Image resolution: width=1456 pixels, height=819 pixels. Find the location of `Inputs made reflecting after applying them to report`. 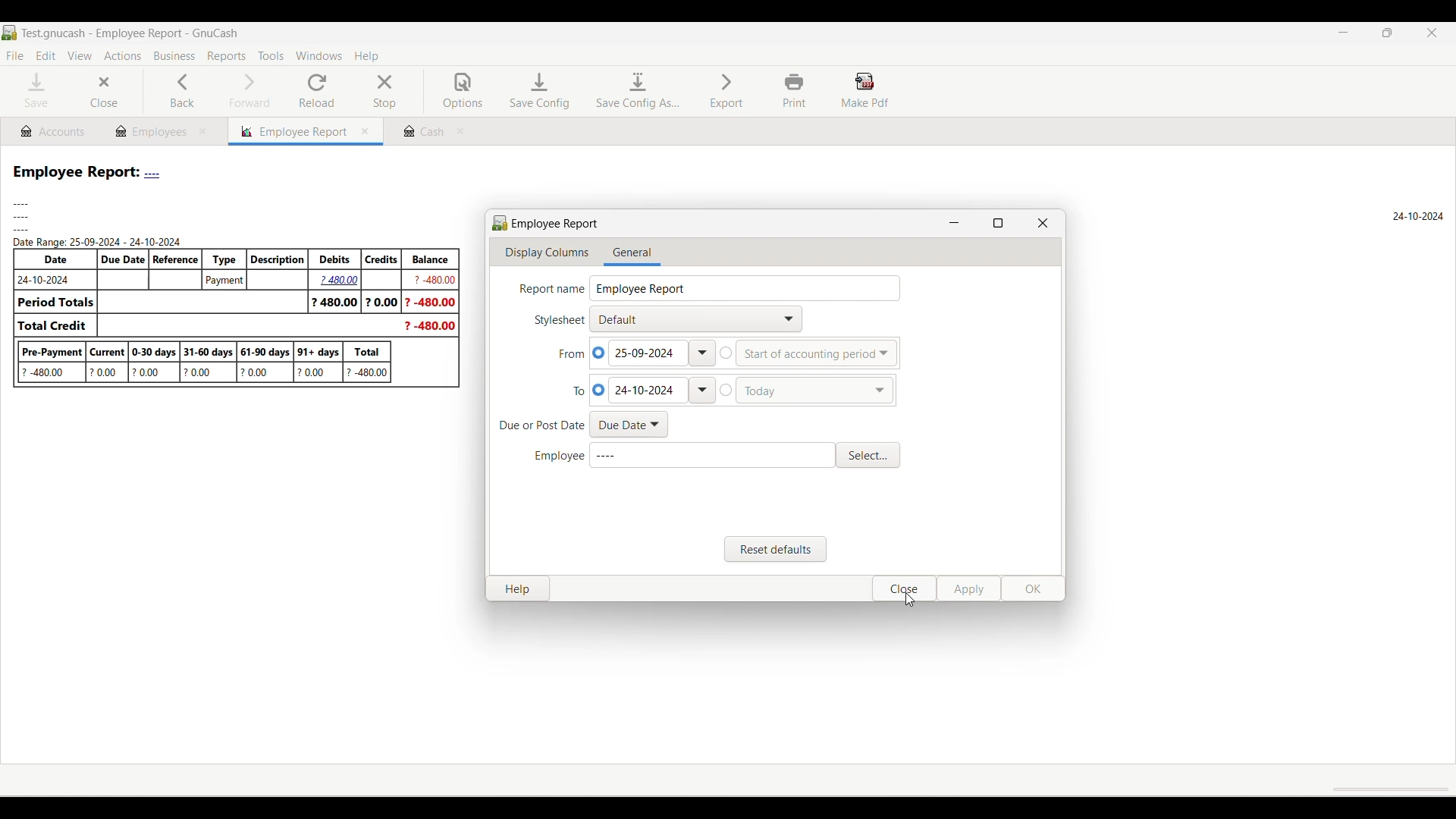

Inputs made reflecting after applying them to report is located at coordinates (727, 276).